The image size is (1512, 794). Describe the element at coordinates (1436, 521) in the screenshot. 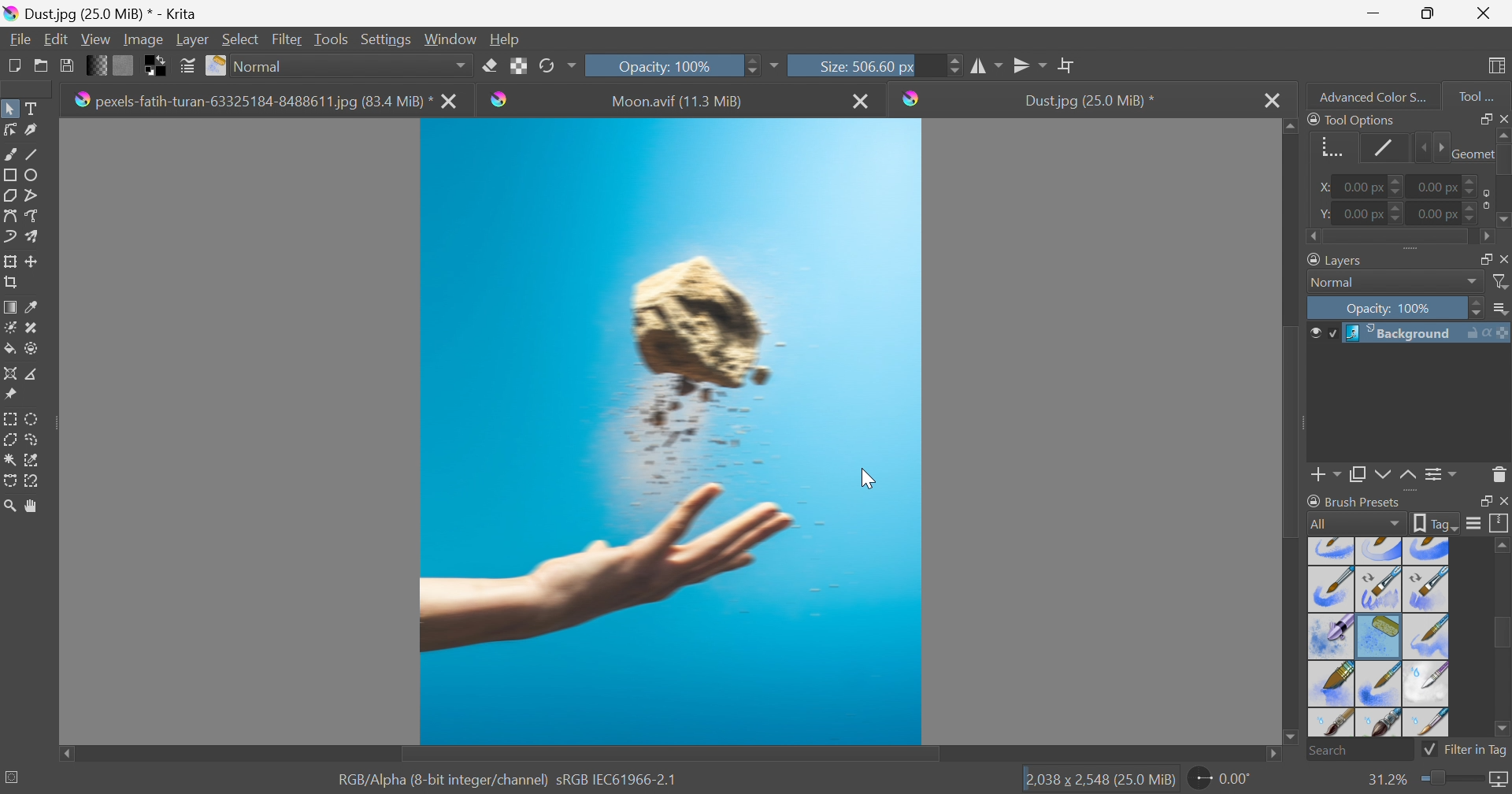

I see `Show the tag box options` at that location.